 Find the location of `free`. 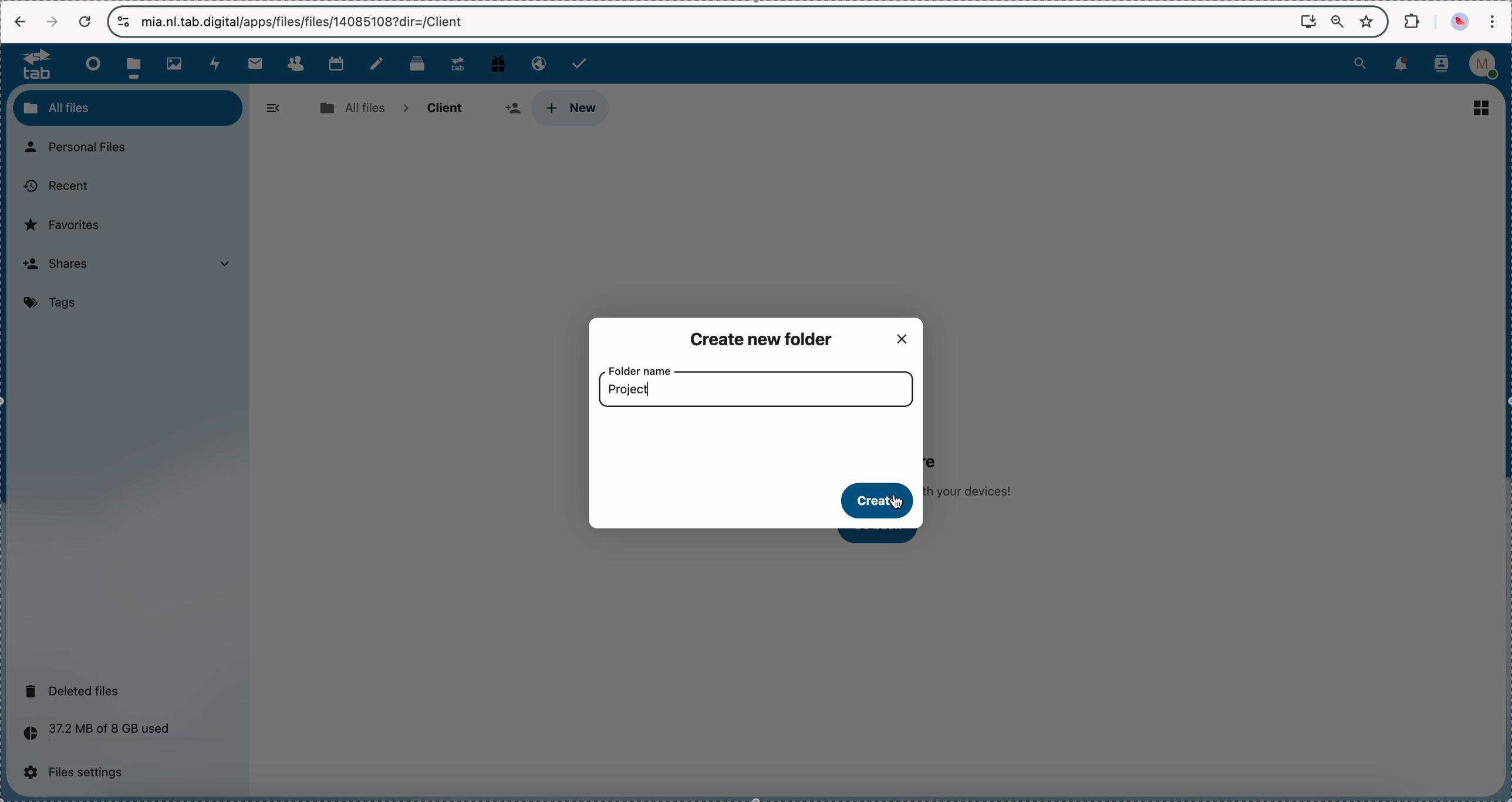

free is located at coordinates (498, 62).